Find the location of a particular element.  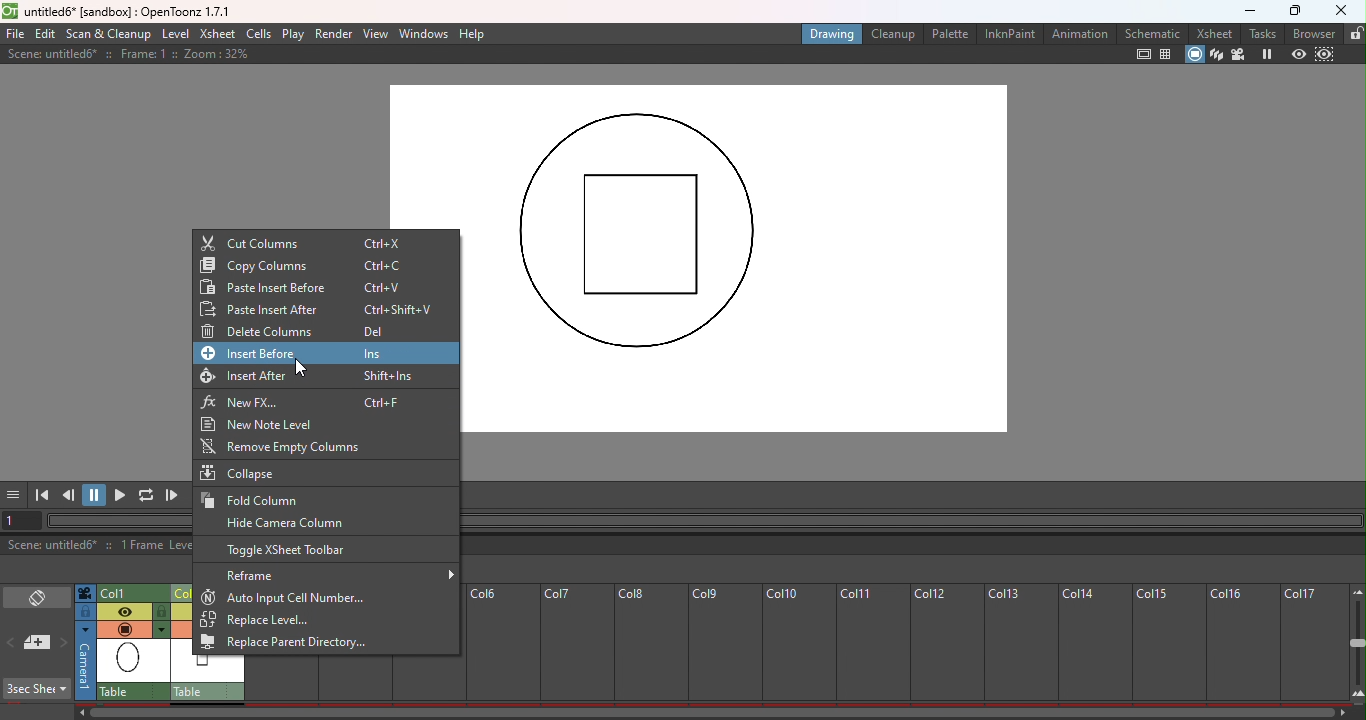

Windows is located at coordinates (424, 35).